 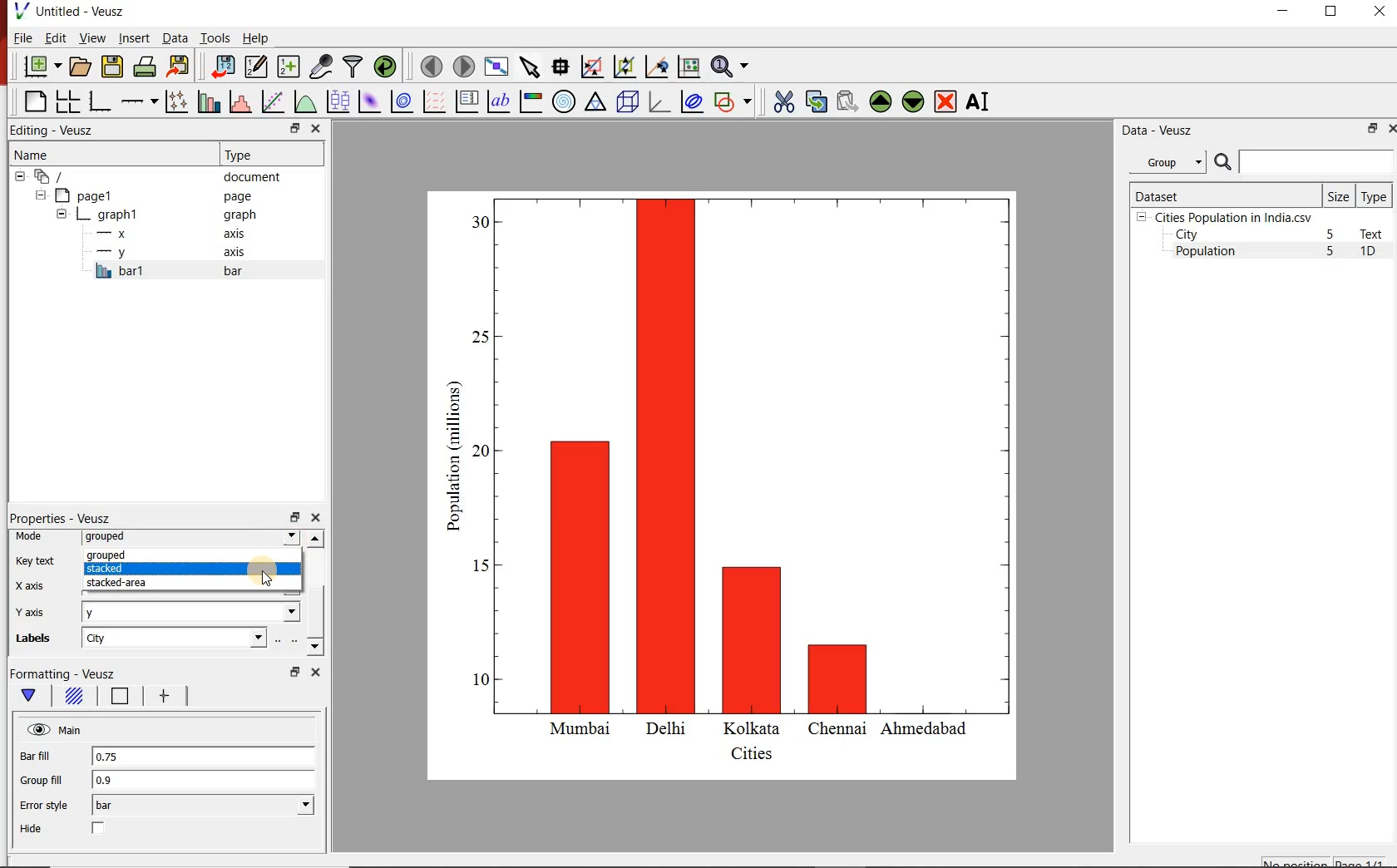 What do you see at coordinates (99, 830) in the screenshot?
I see `check/uncheck` at bounding box center [99, 830].